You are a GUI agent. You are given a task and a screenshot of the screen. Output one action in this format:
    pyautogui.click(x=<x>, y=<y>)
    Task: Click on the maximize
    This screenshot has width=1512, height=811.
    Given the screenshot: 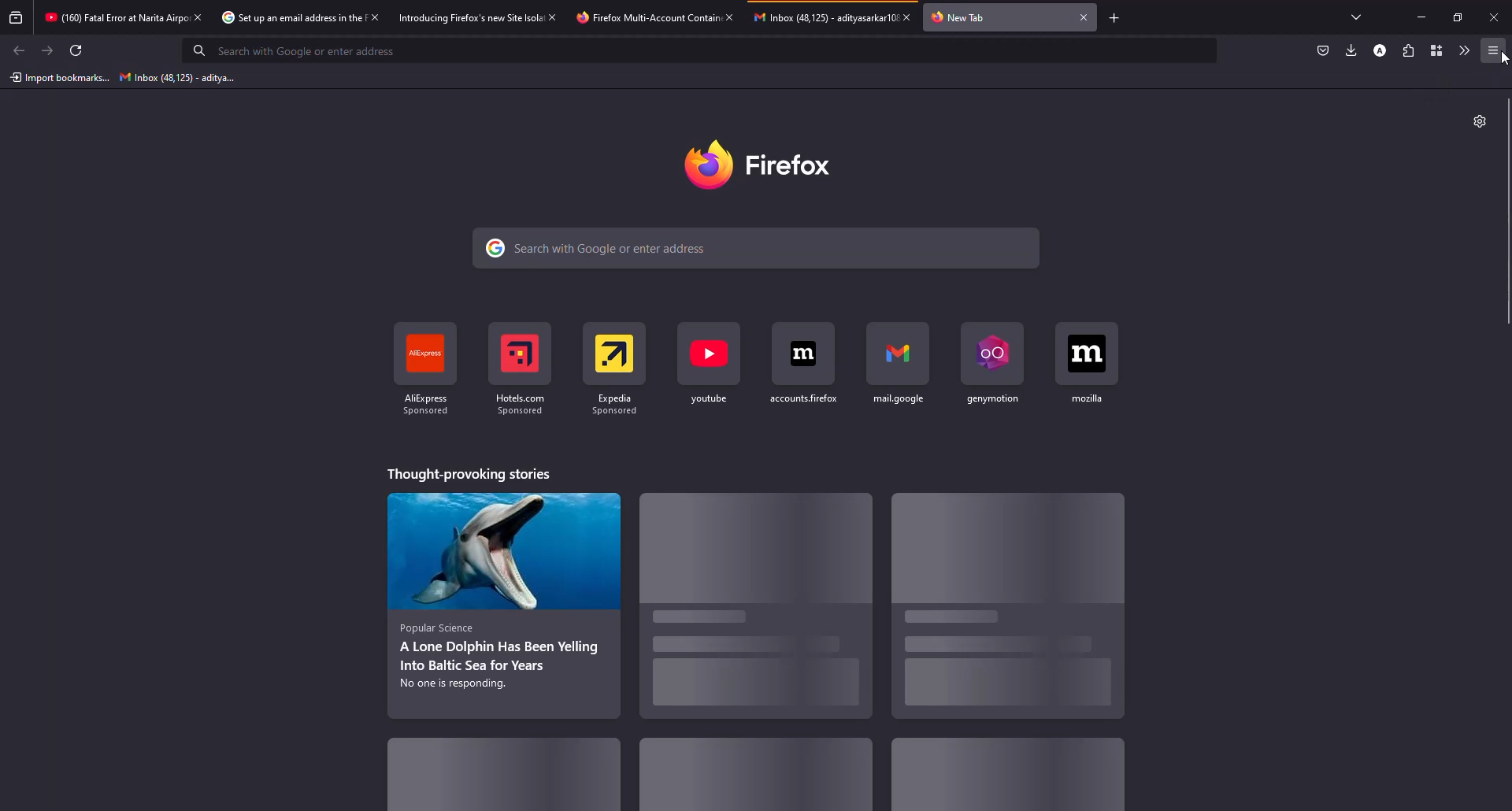 What is the action you would take?
    pyautogui.click(x=1454, y=17)
    